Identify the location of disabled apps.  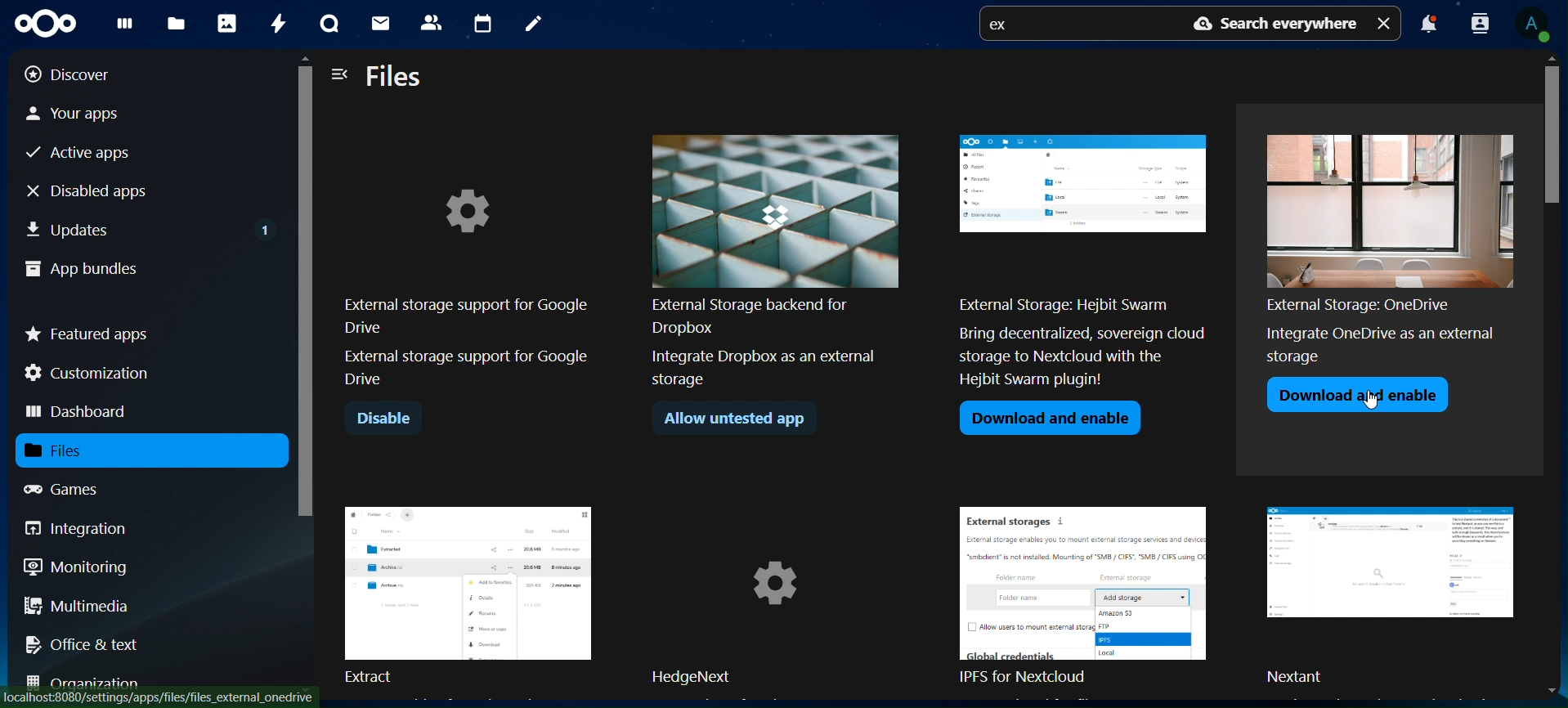
(101, 190).